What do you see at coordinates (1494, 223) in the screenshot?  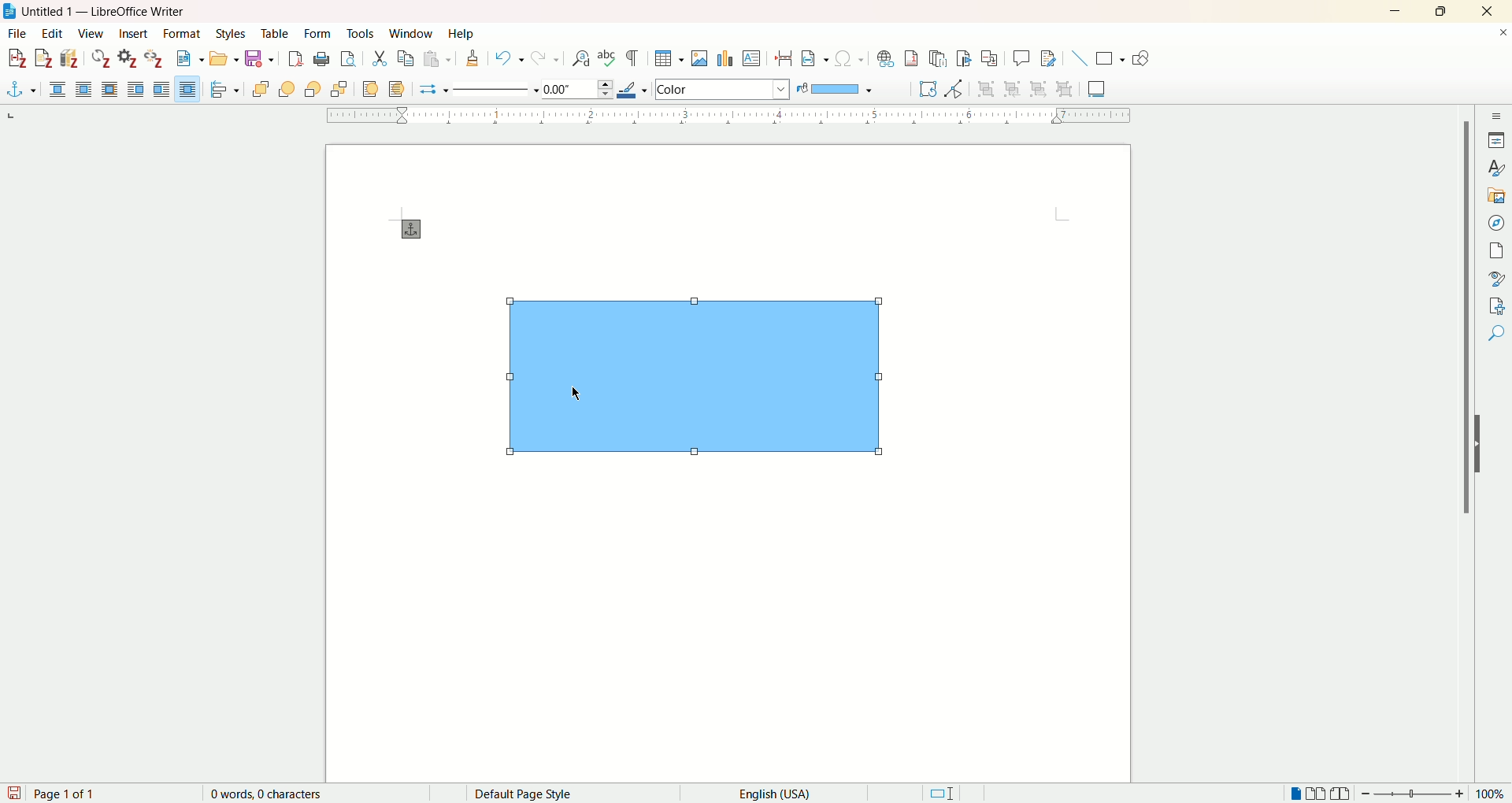 I see `navigator` at bounding box center [1494, 223].